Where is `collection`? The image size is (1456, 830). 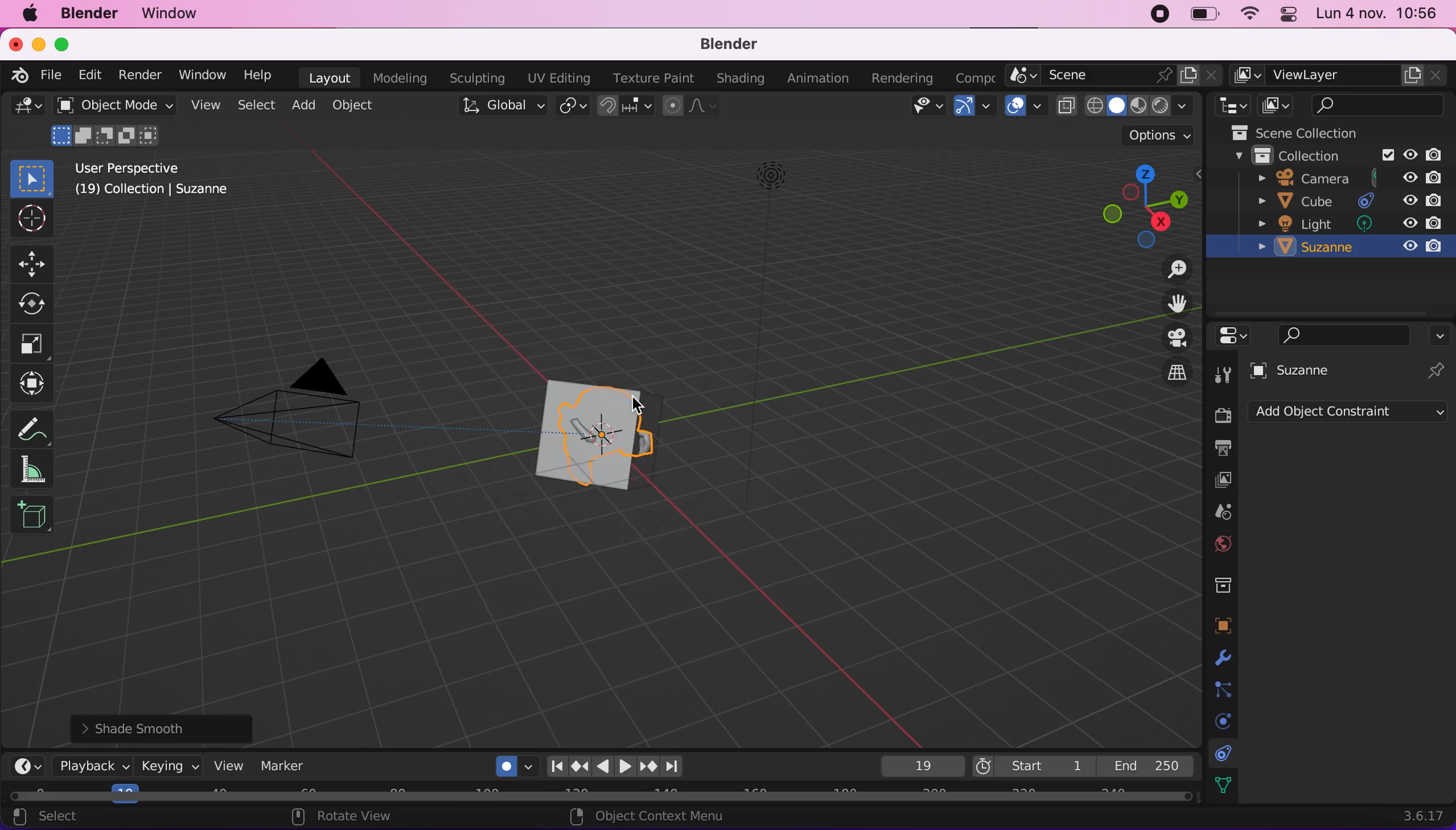
collection is located at coordinates (1343, 156).